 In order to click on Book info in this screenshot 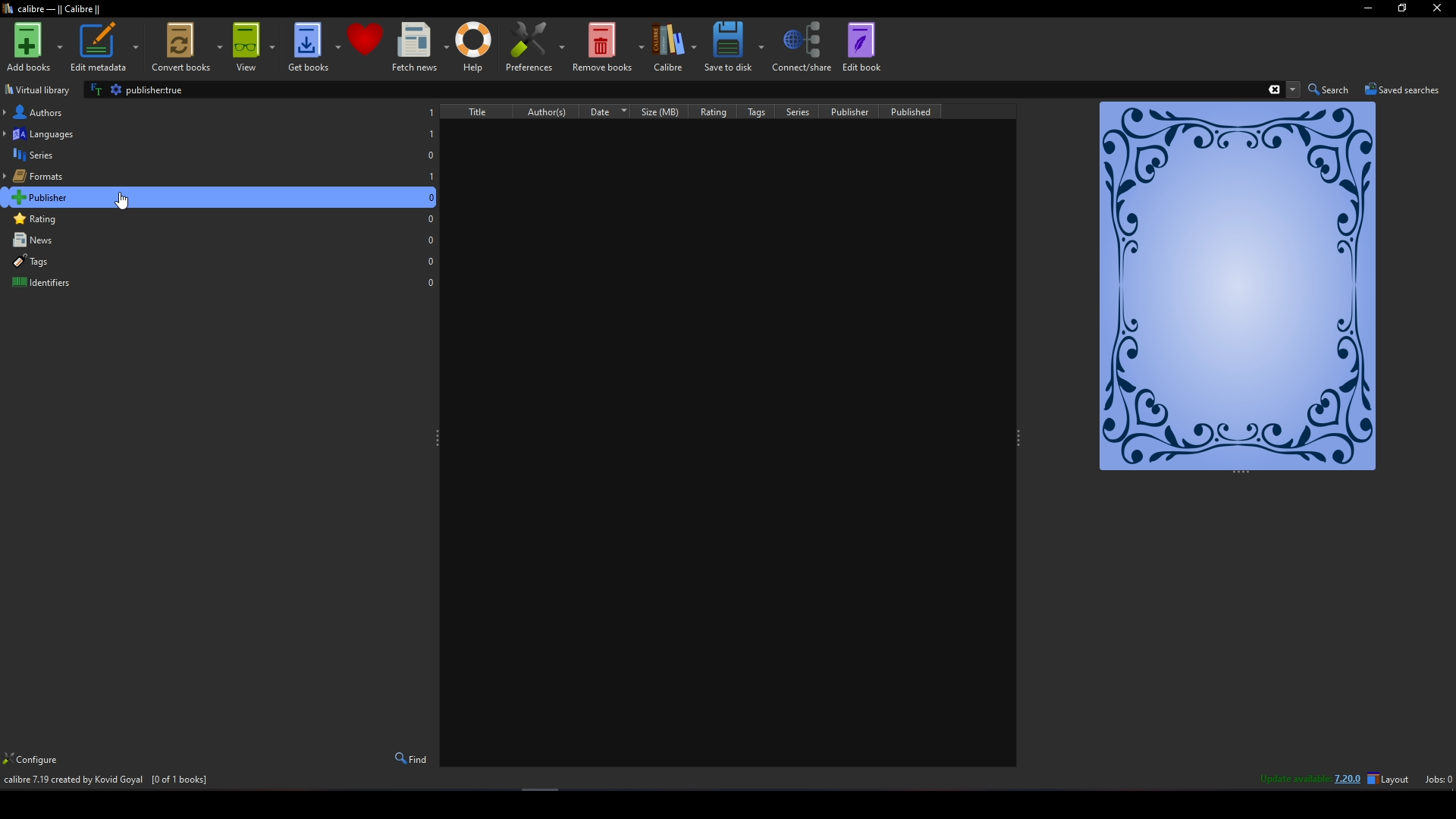, I will do `click(726, 133)`.